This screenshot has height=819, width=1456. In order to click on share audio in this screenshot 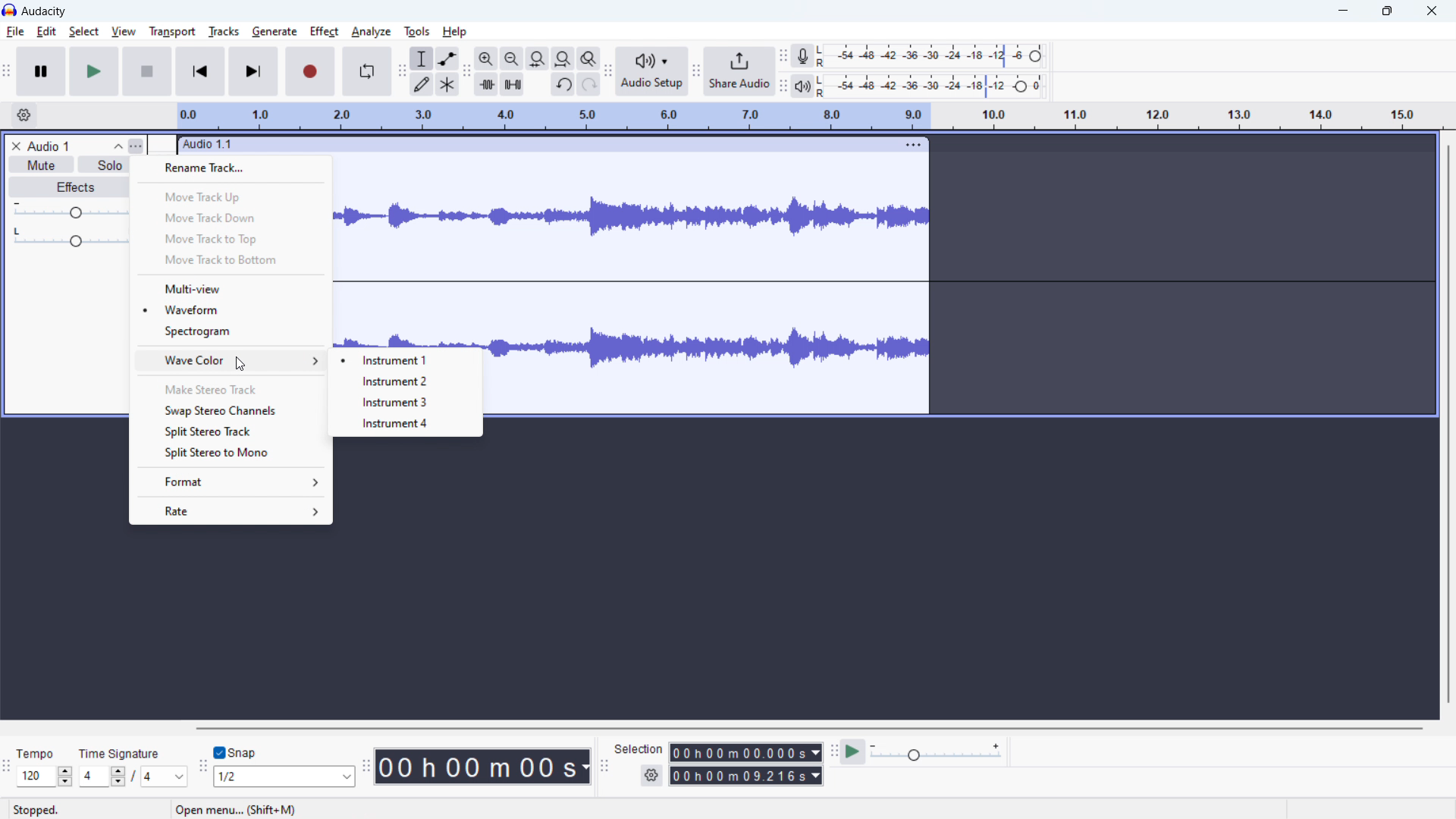, I will do `click(740, 71)`.